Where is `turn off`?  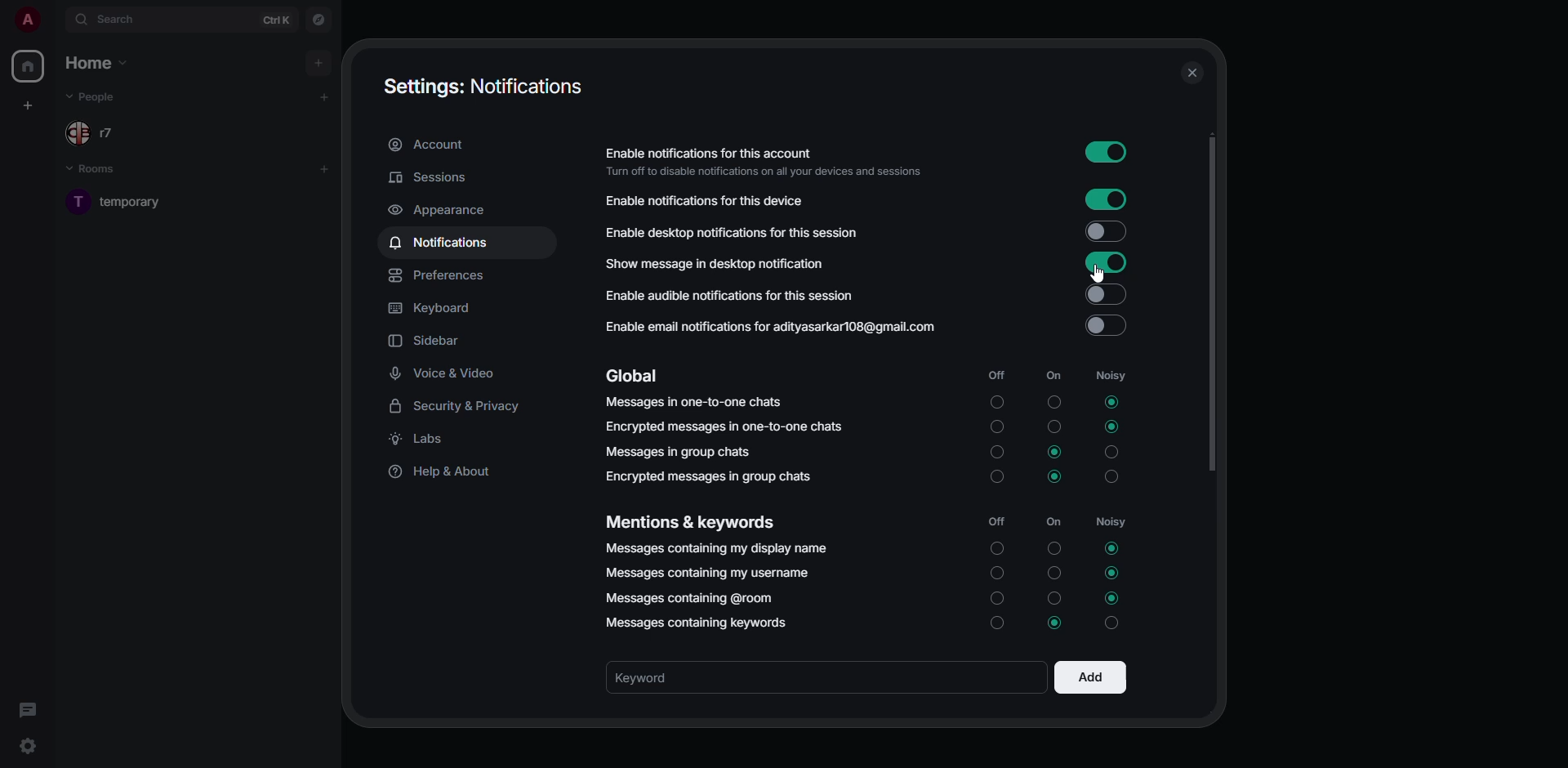
turn off is located at coordinates (1053, 403).